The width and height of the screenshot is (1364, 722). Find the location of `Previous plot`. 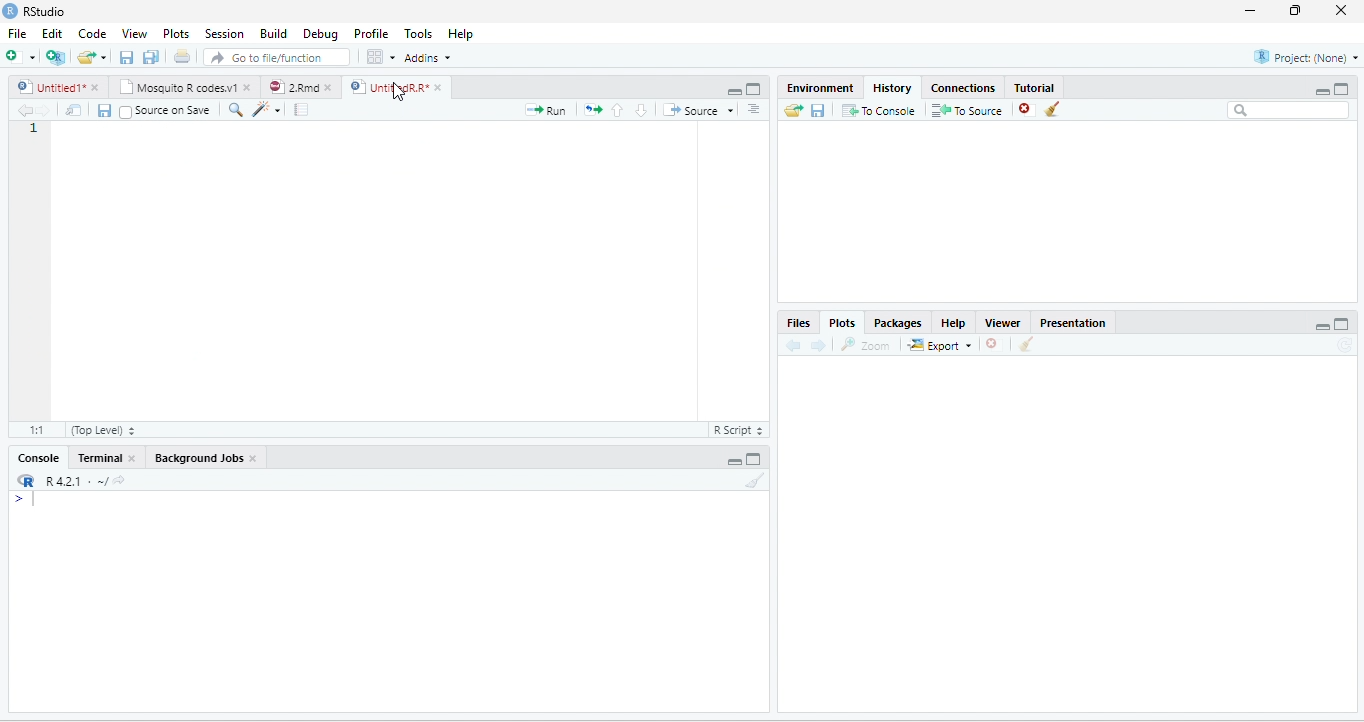

Previous plot is located at coordinates (794, 345).